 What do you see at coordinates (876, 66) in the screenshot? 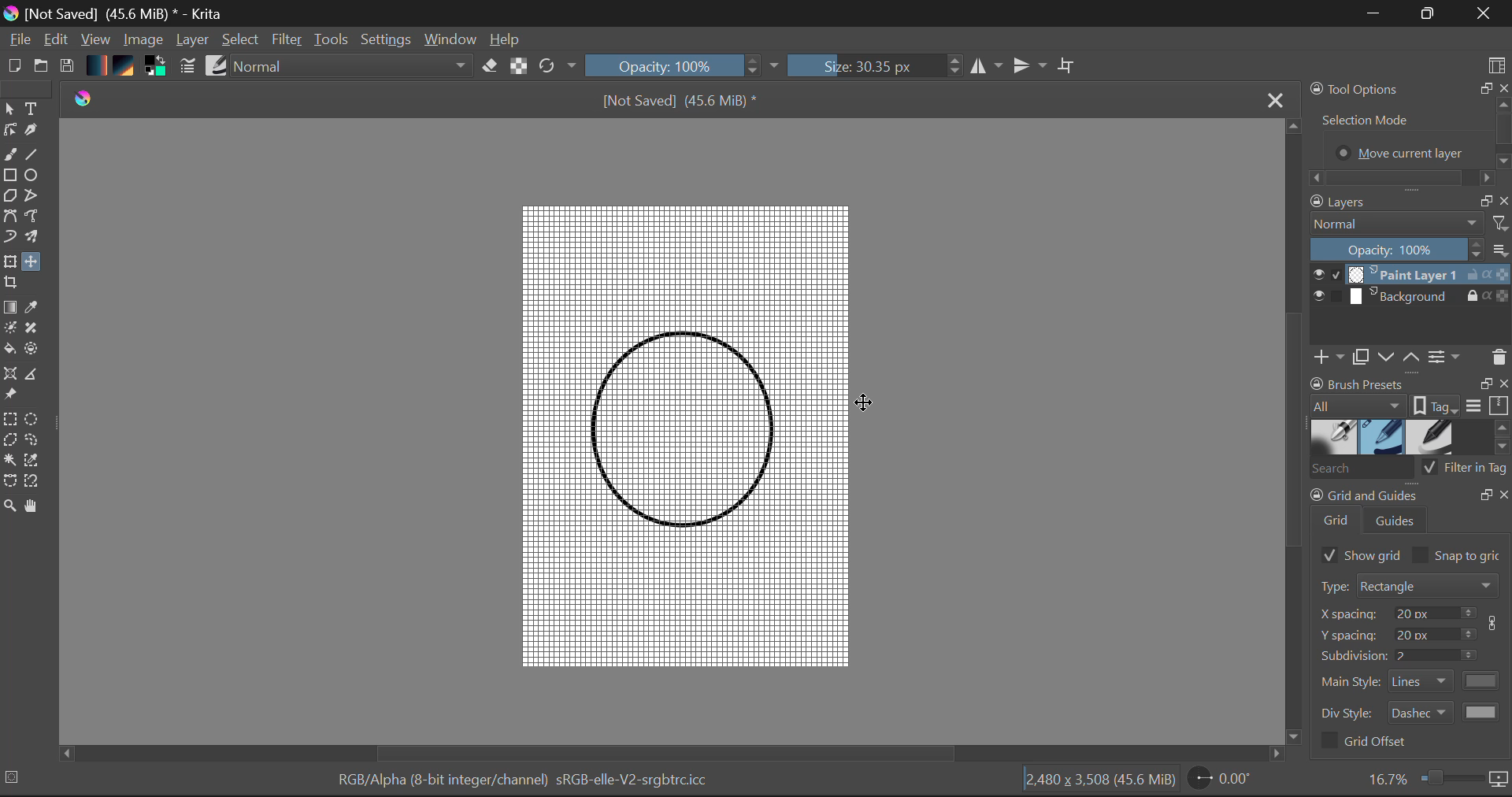
I see `Brush Size` at bounding box center [876, 66].